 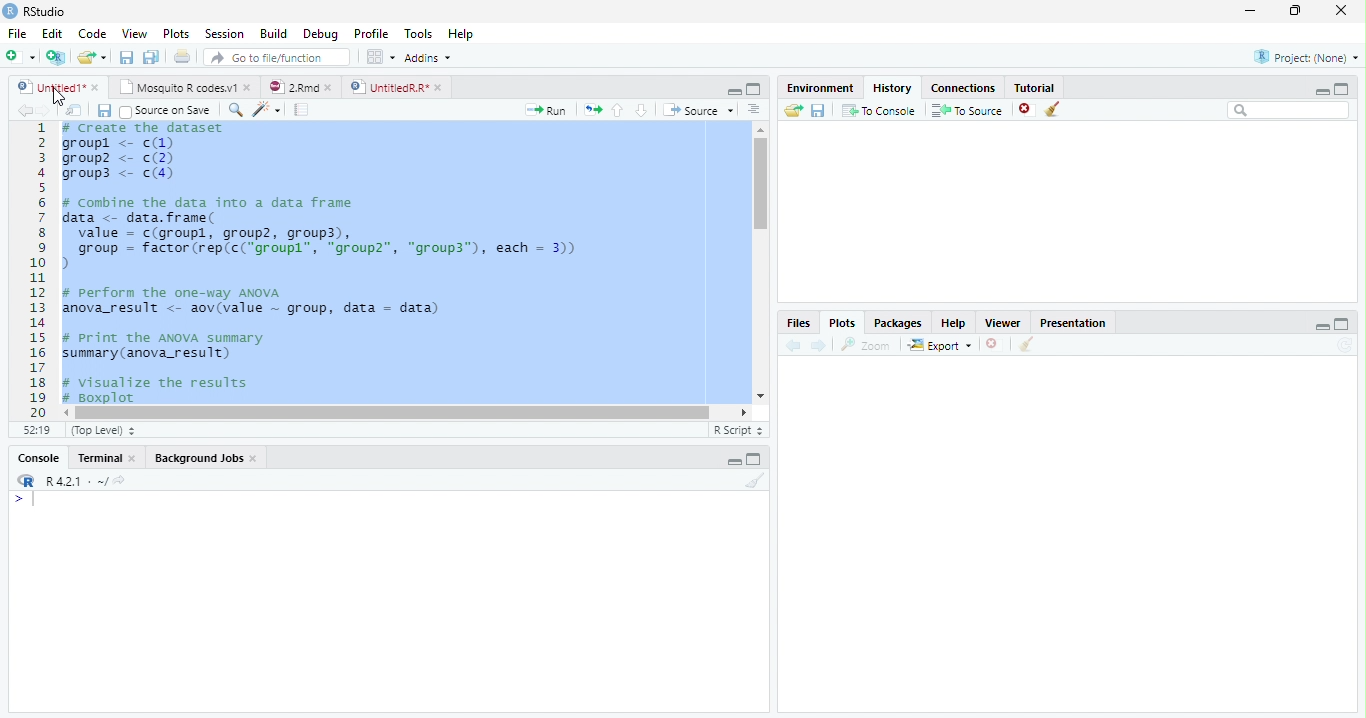 I want to click on Back , so click(x=26, y=111).